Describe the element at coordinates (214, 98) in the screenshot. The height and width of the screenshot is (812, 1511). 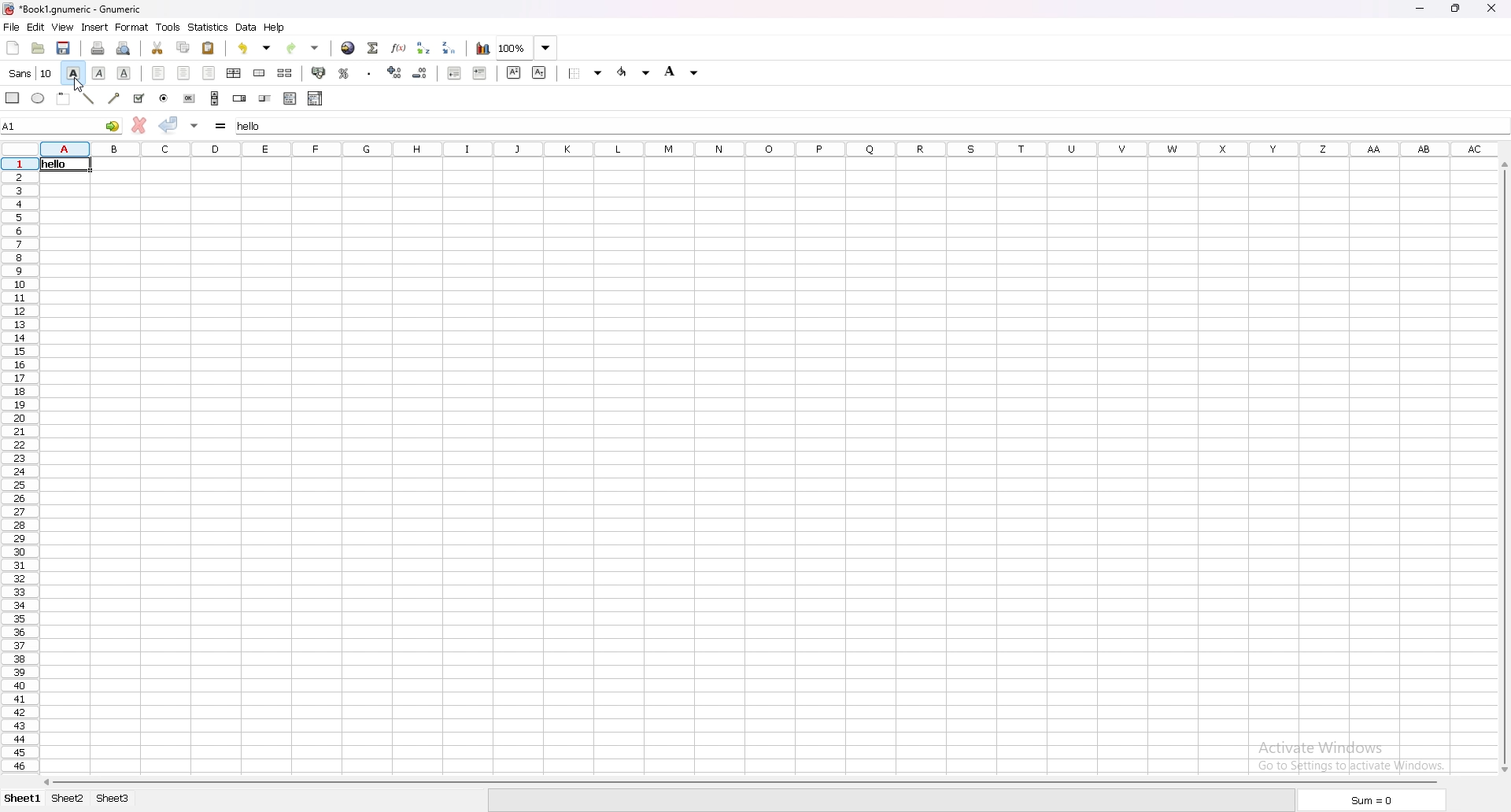
I see `scroll bar` at that location.